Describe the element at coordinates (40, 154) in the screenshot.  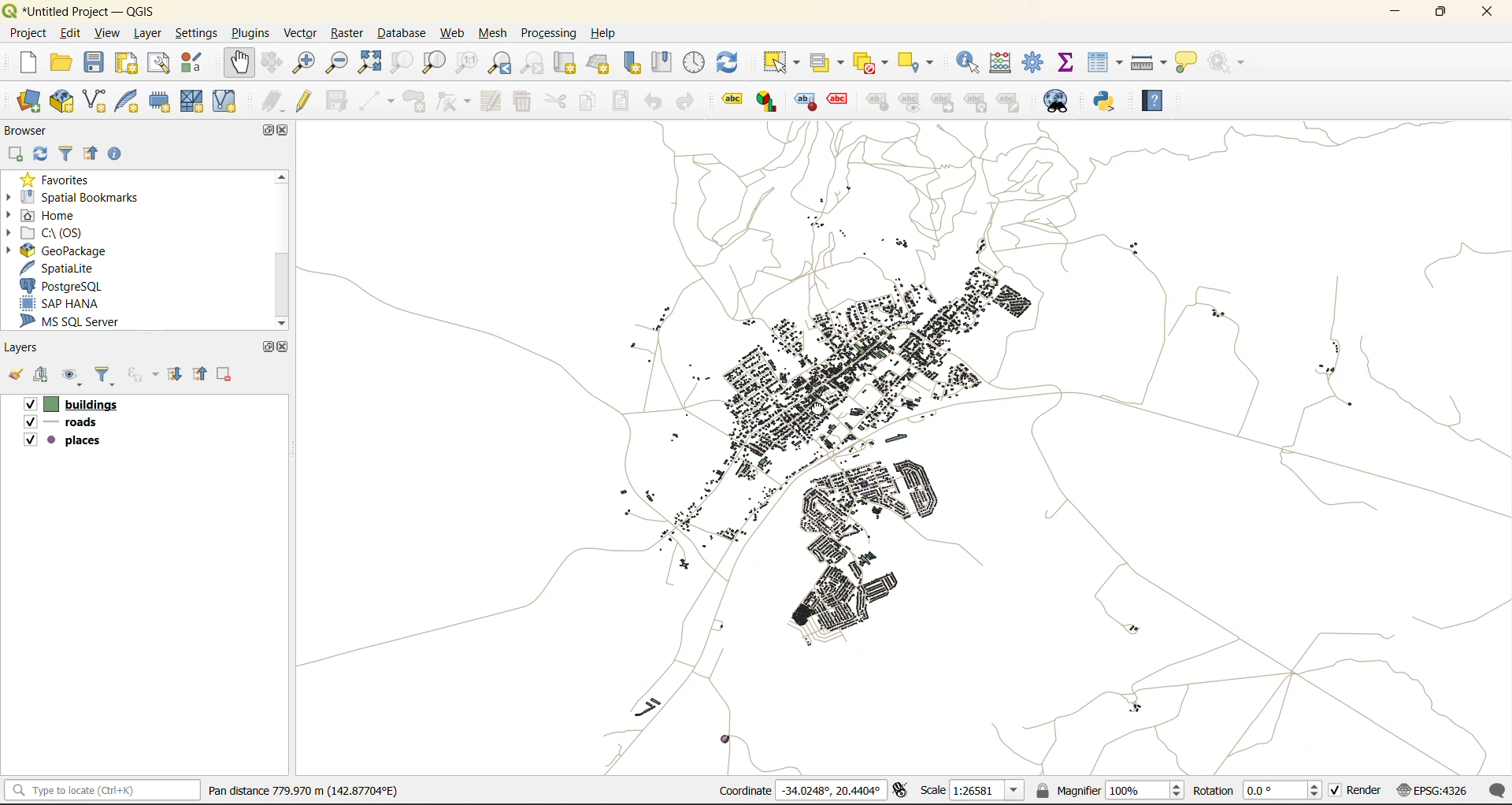
I see `refresh` at that location.